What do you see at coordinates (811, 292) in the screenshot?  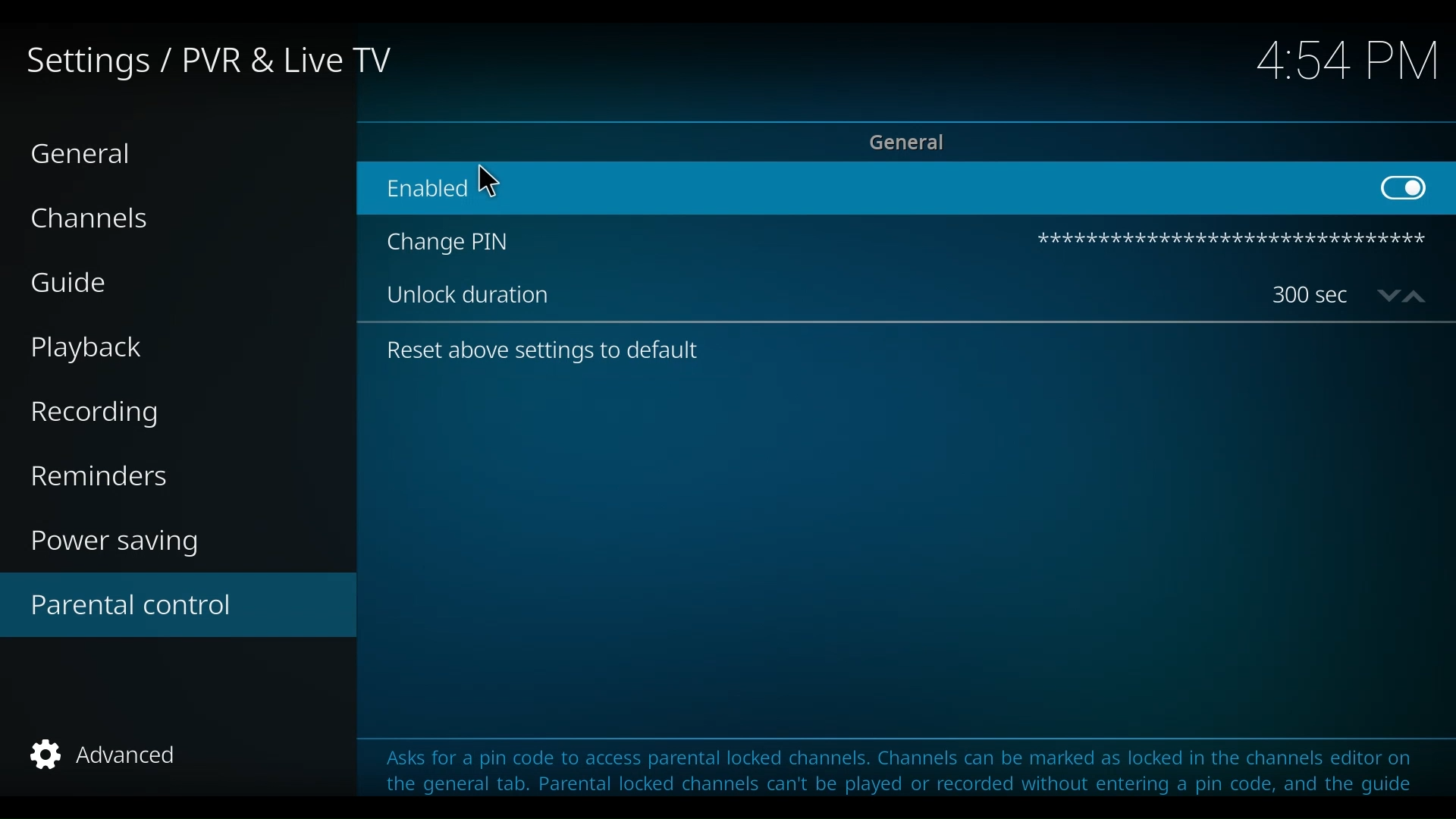 I see `Unlock duration` at bounding box center [811, 292].